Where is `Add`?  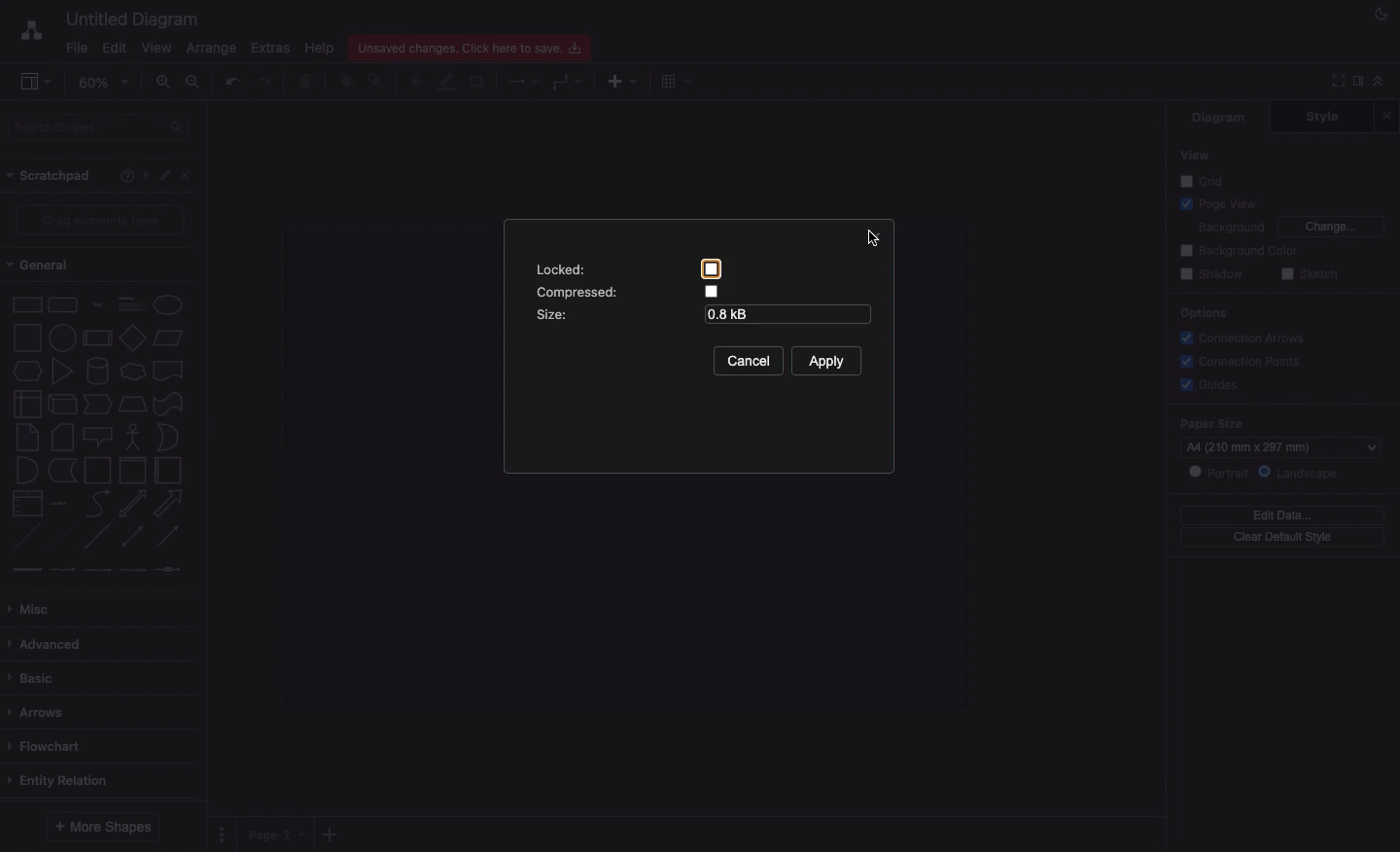
Add is located at coordinates (146, 173).